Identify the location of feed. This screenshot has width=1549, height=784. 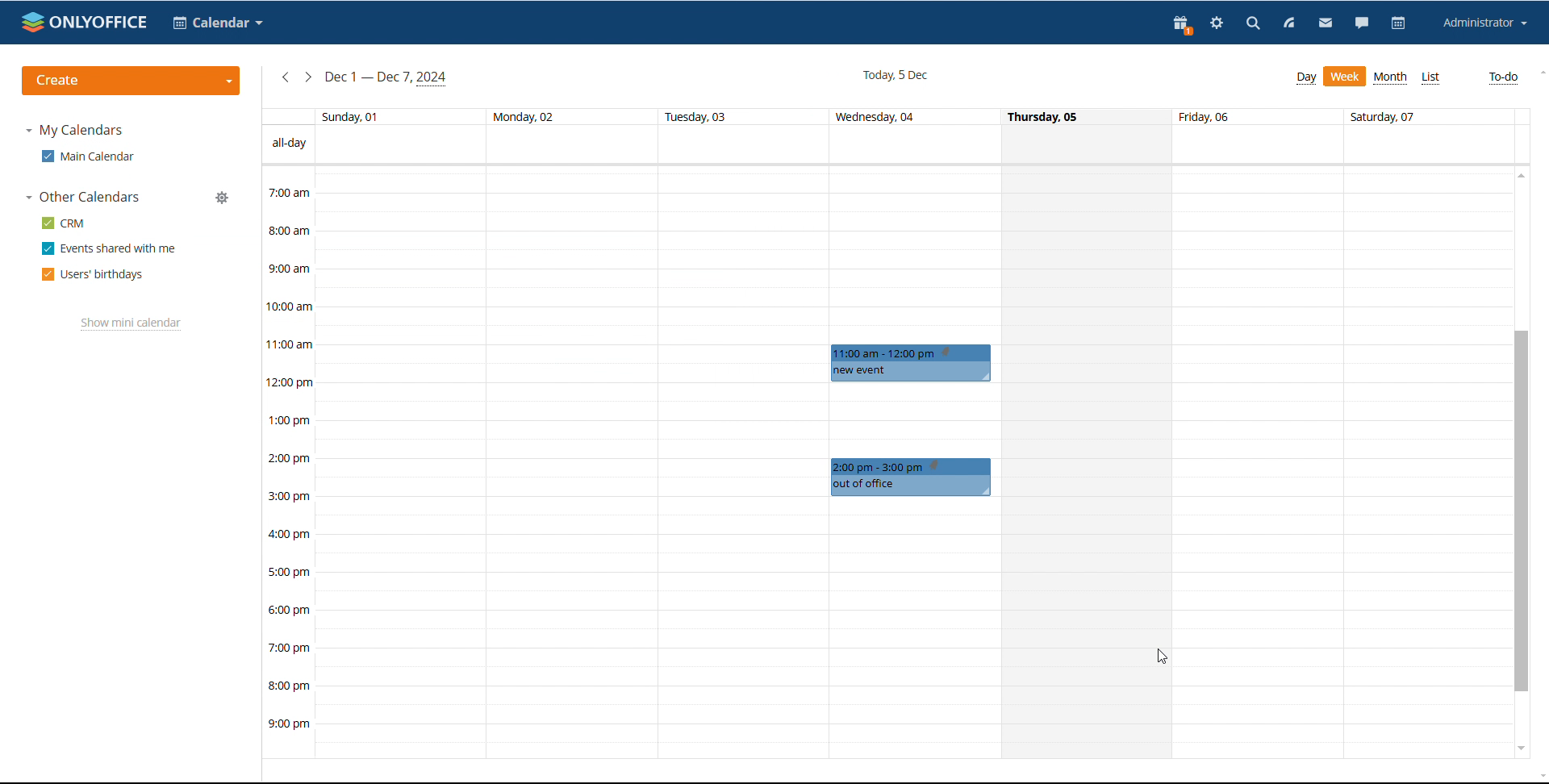
(1289, 23).